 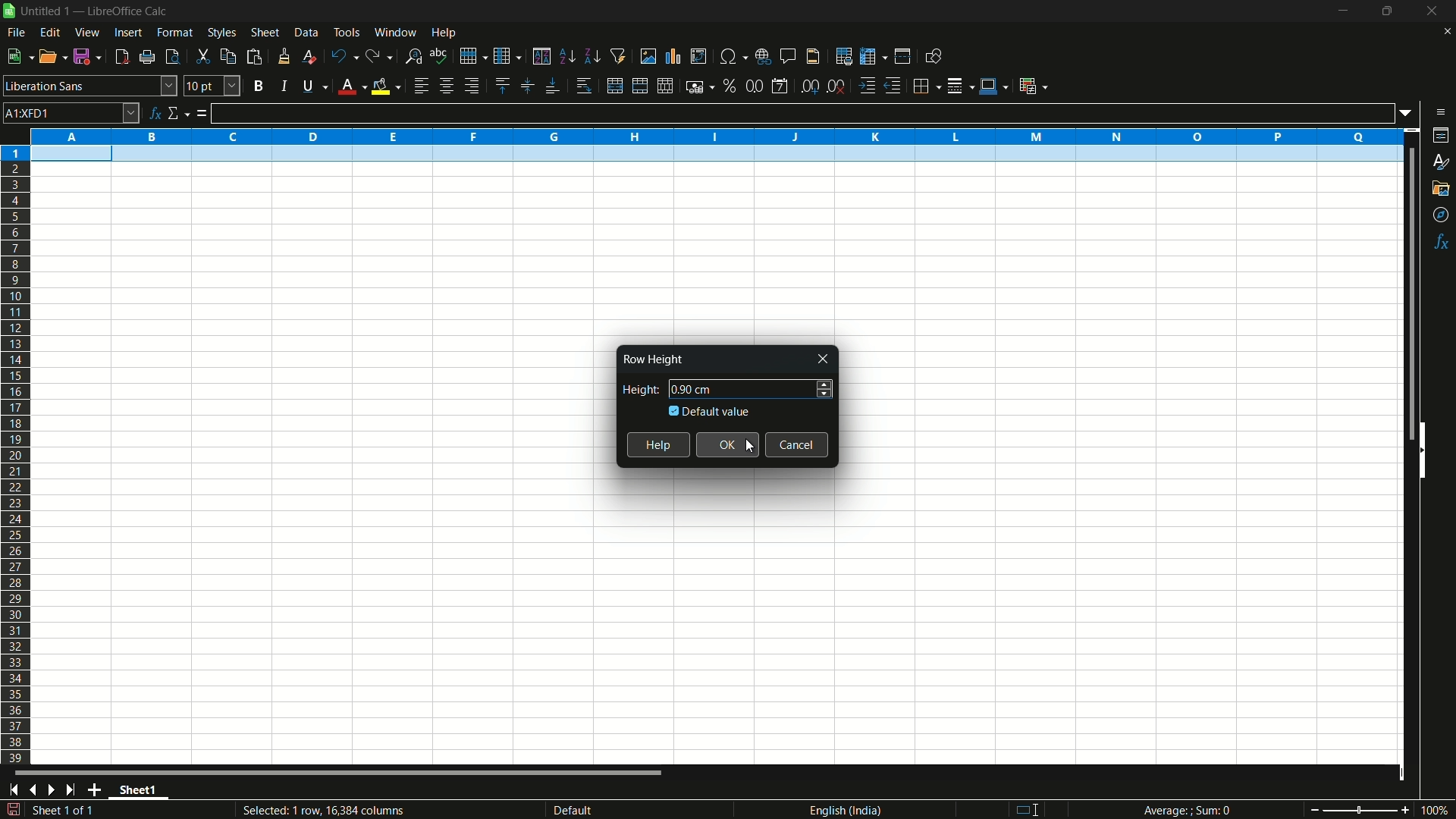 What do you see at coordinates (932, 56) in the screenshot?
I see `show draw functions` at bounding box center [932, 56].